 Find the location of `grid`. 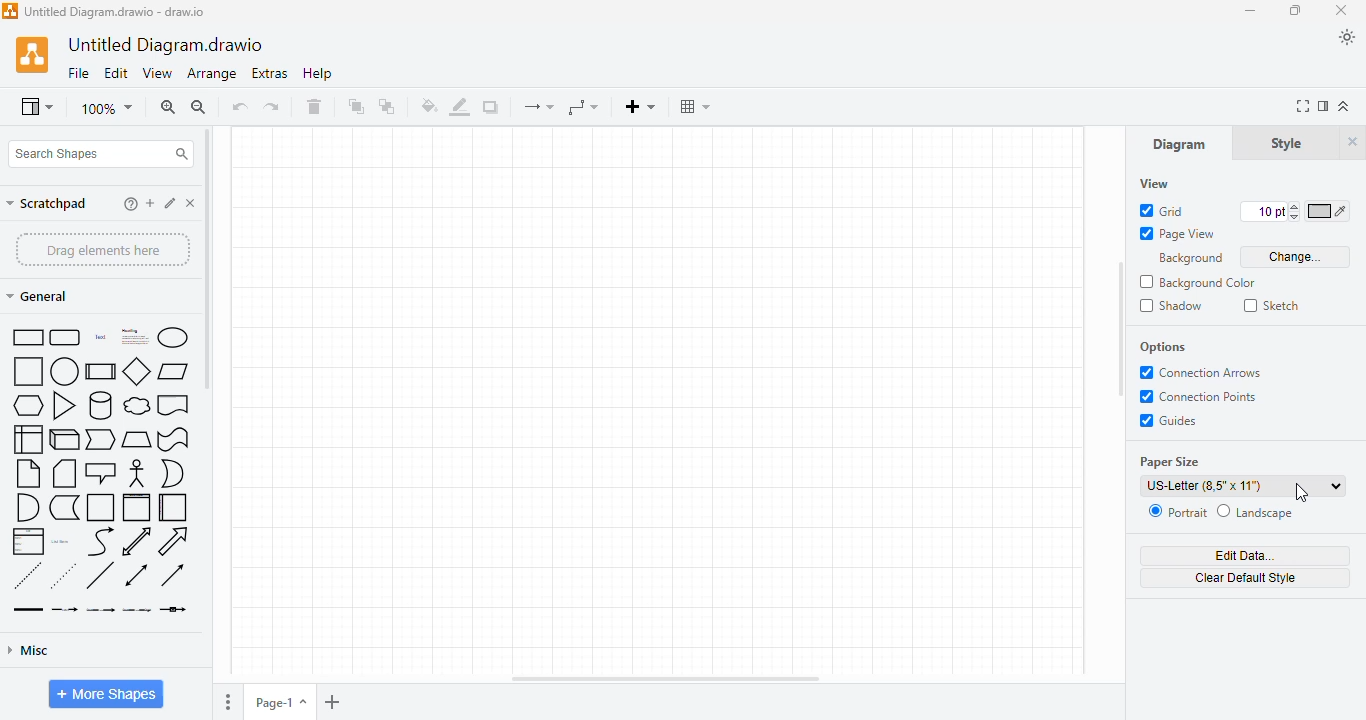

grid is located at coordinates (1159, 210).